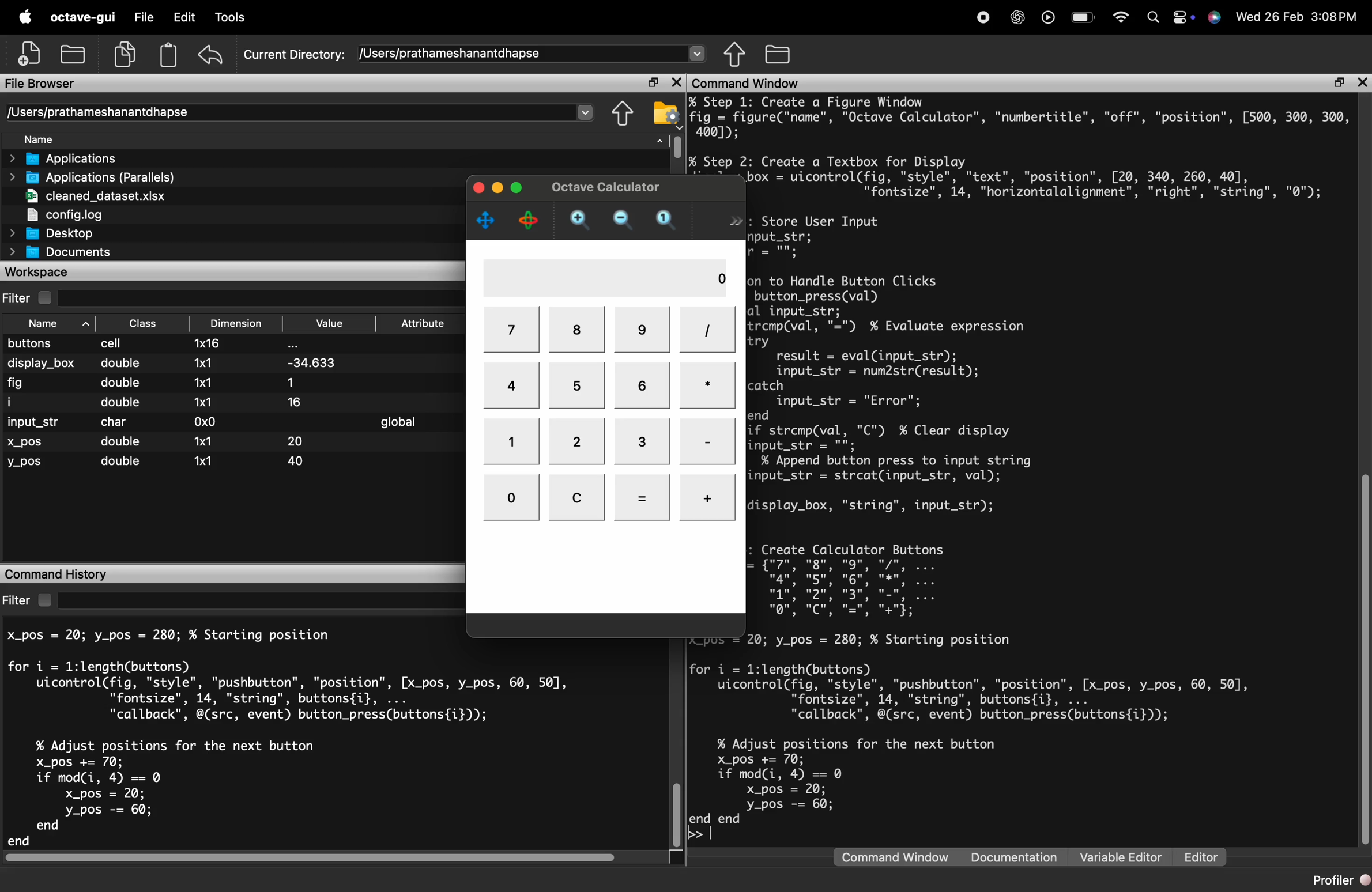 The width and height of the screenshot is (1372, 892). I want to click on vertical scrollbar, so click(1363, 655).